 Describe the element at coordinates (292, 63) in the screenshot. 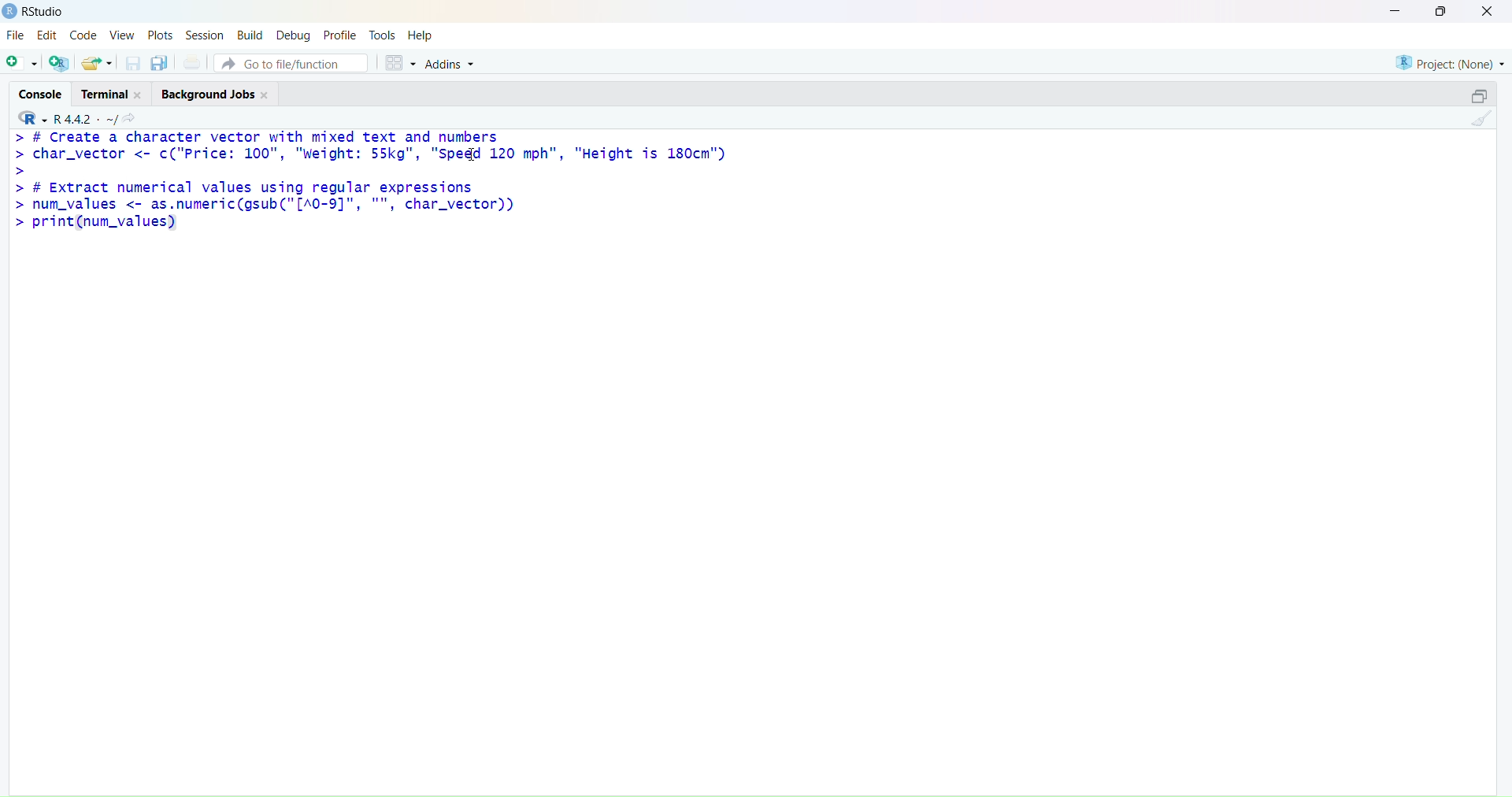

I see `Go to file/function` at that location.